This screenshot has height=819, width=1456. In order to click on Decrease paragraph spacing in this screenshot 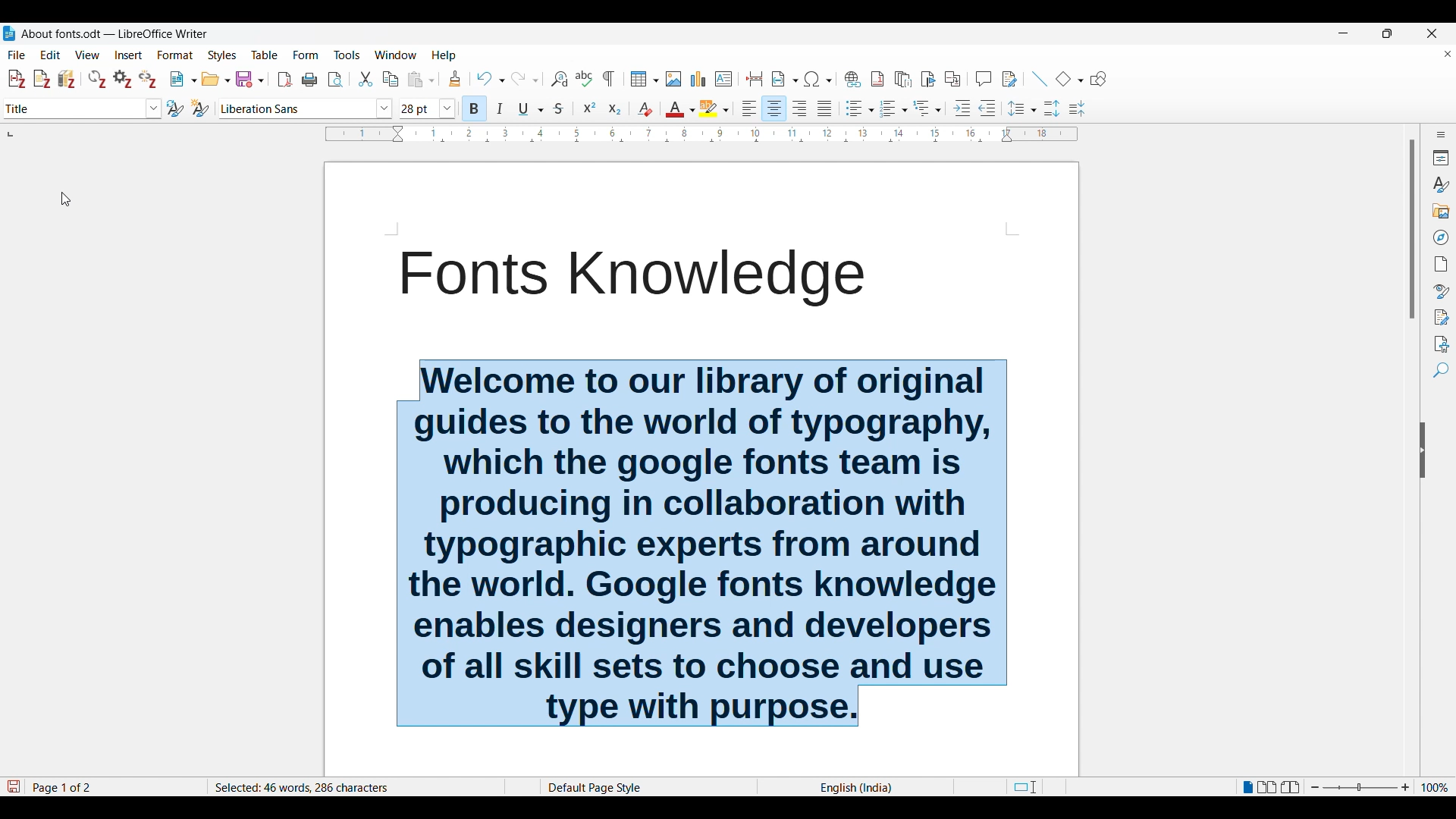, I will do `click(1077, 109)`.